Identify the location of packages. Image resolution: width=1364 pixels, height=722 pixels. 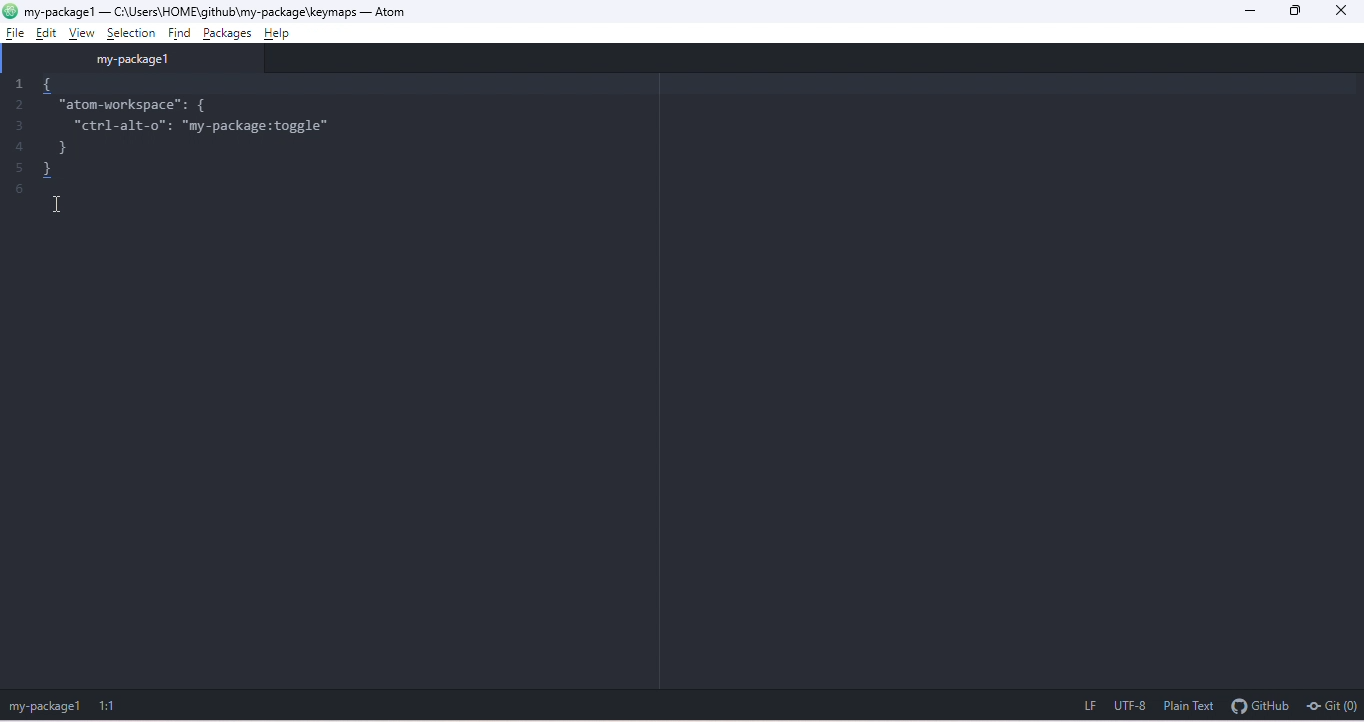
(229, 32).